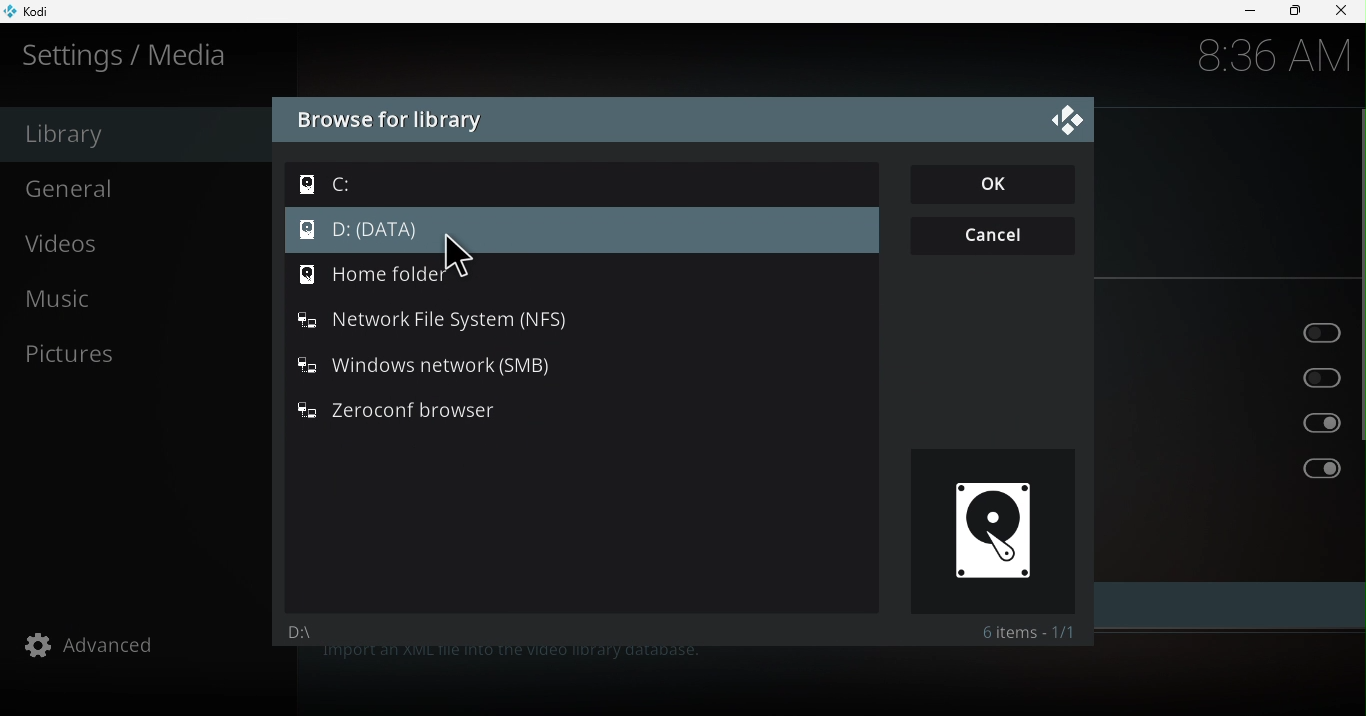 The height and width of the screenshot is (716, 1366). What do you see at coordinates (1344, 11) in the screenshot?
I see `close` at bounding box center [1344, 11].